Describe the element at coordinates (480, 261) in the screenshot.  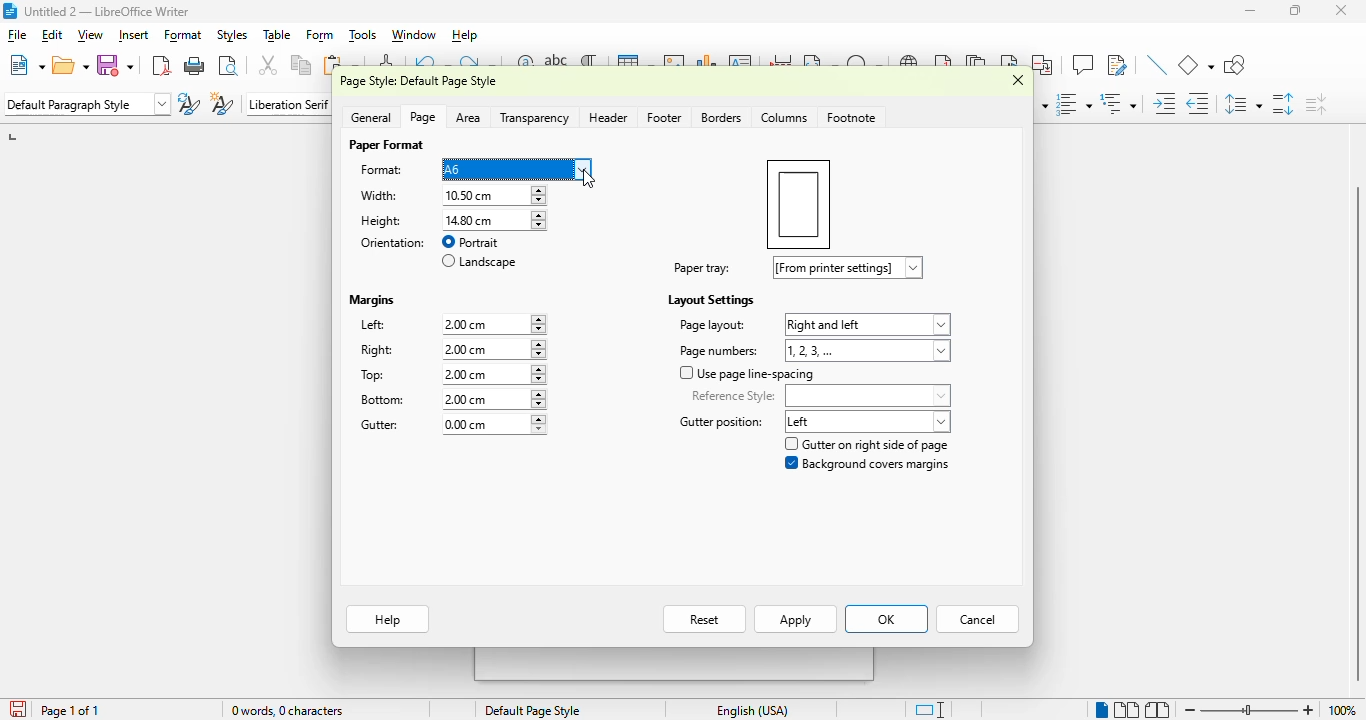
I see `landscape` at that location.